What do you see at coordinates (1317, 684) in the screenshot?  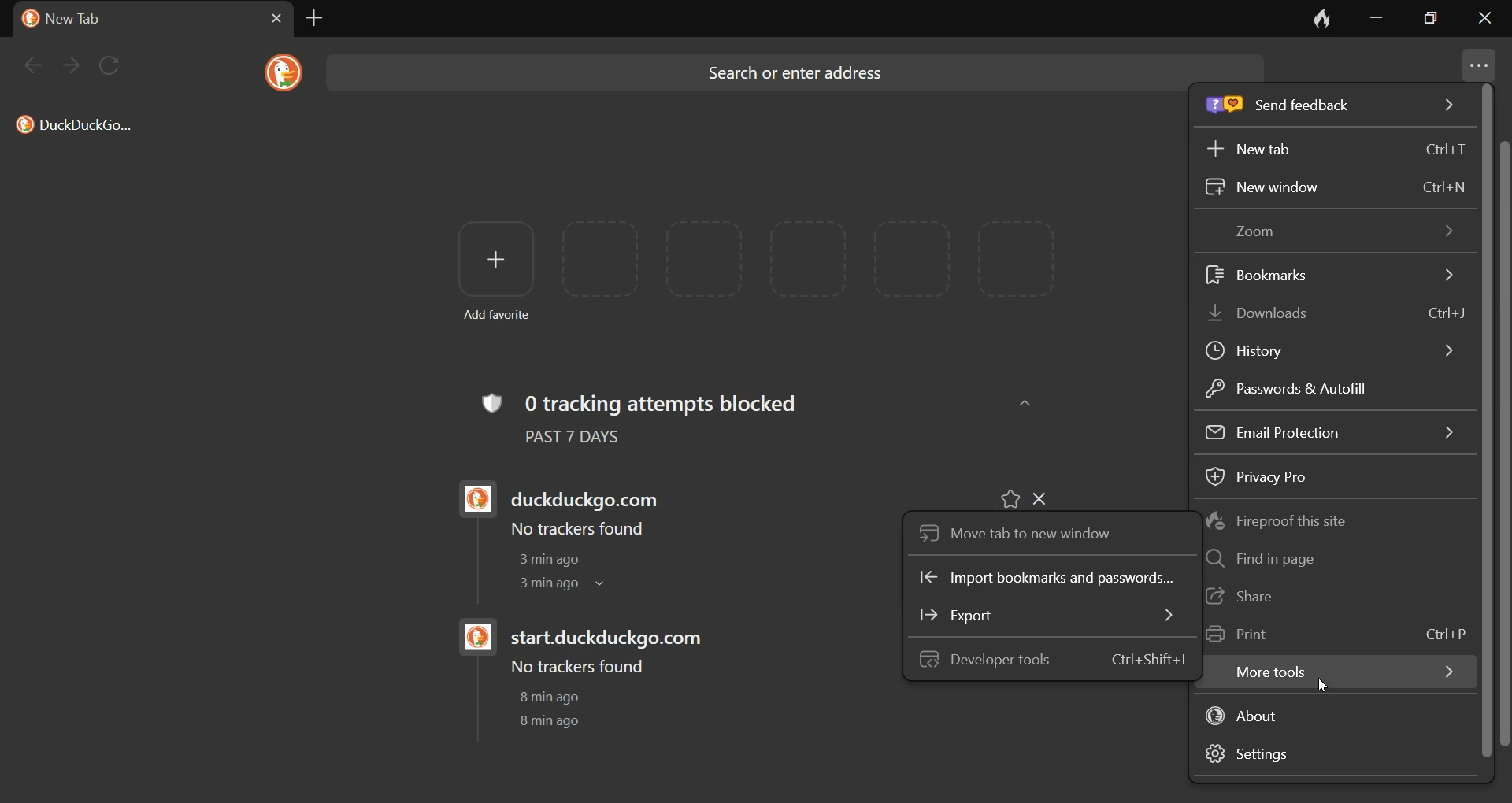 I see `cursor` at bounding box center [1317, 684].